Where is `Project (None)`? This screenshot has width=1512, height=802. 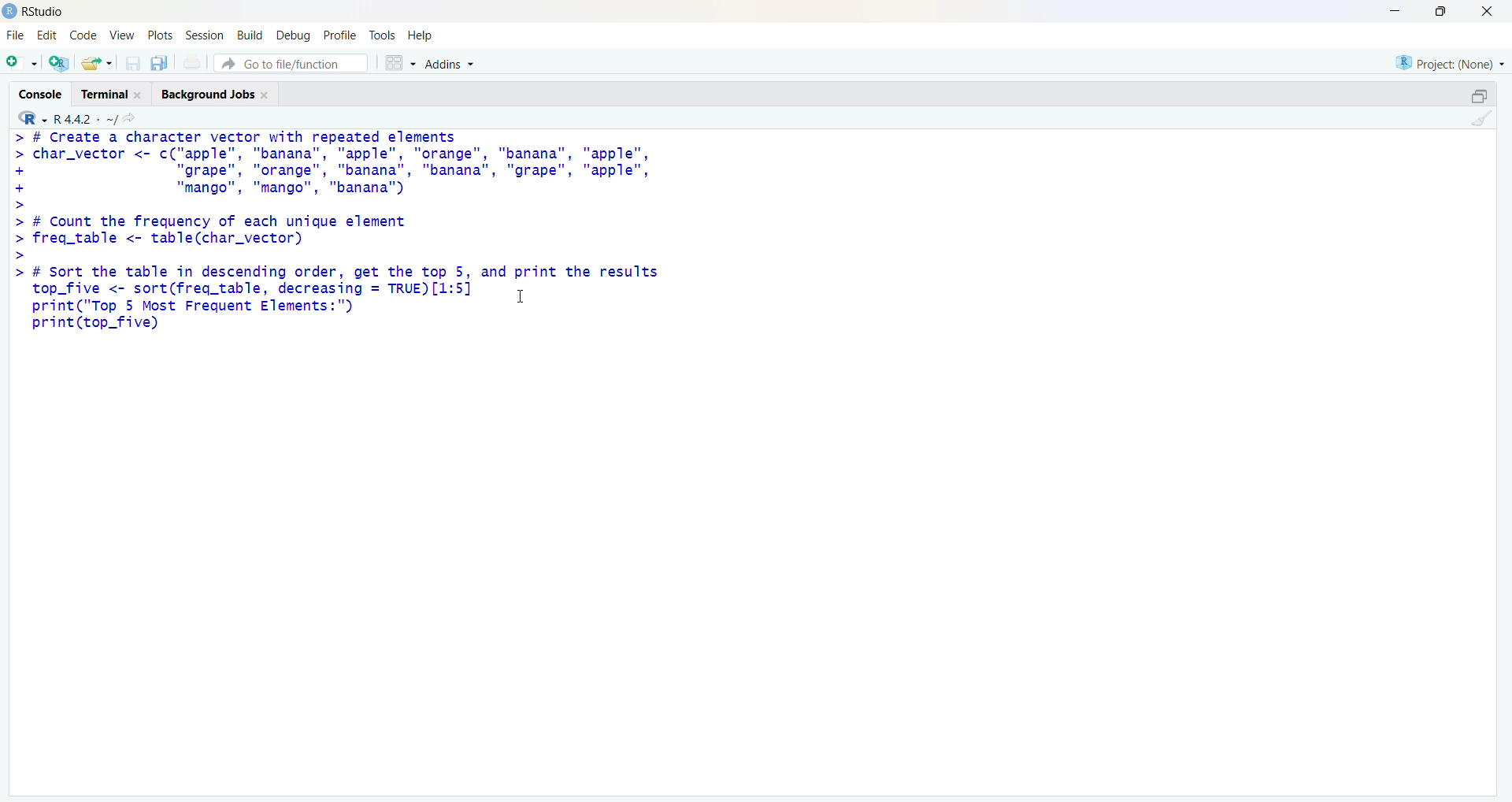 Project (None) is located at coordinates (1446, 60).